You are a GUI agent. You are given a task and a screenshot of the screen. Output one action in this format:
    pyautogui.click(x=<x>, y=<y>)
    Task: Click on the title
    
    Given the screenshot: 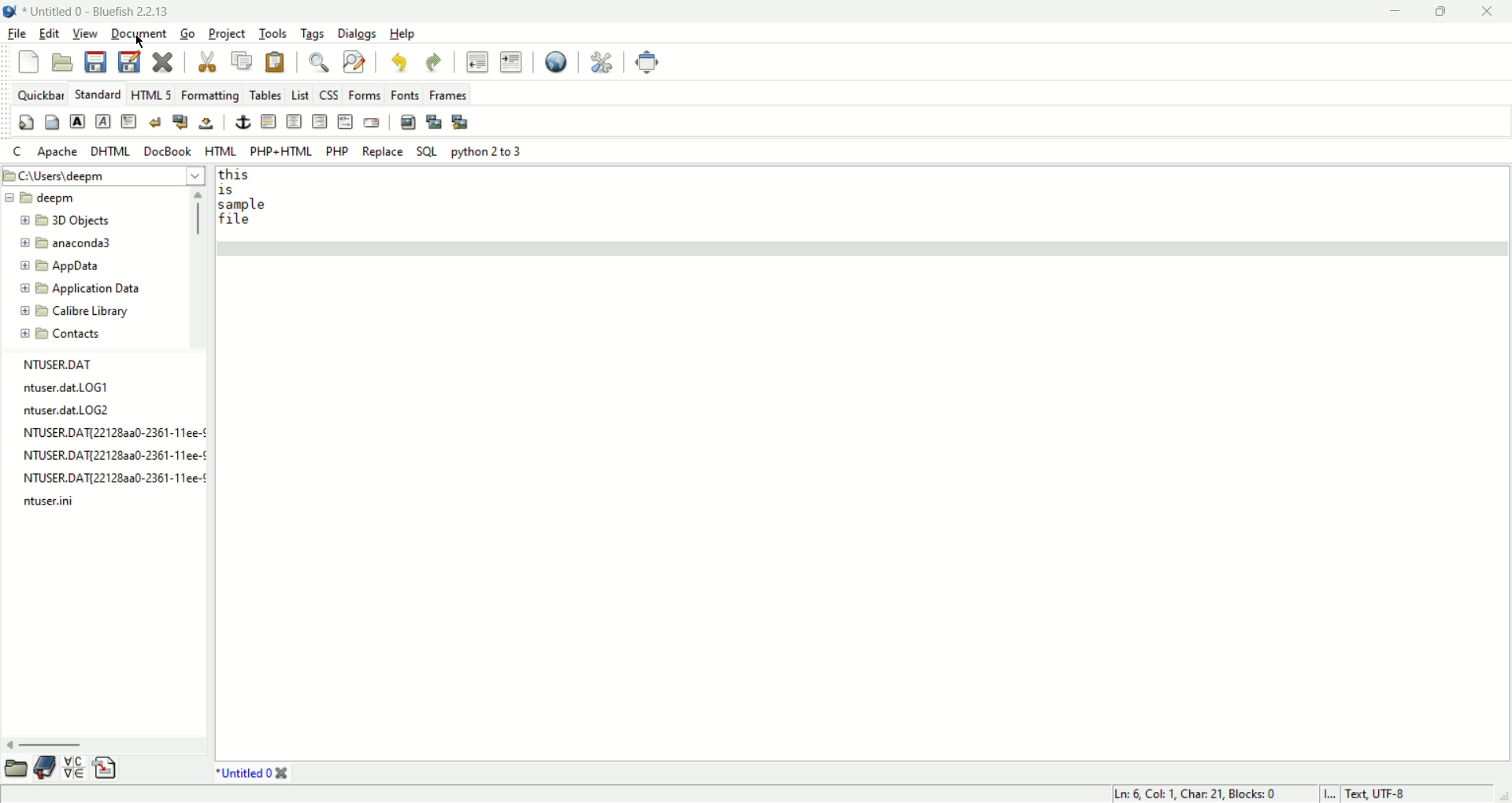 What is the action you would take?
    pyautogui.click(x=97, y=11)
    